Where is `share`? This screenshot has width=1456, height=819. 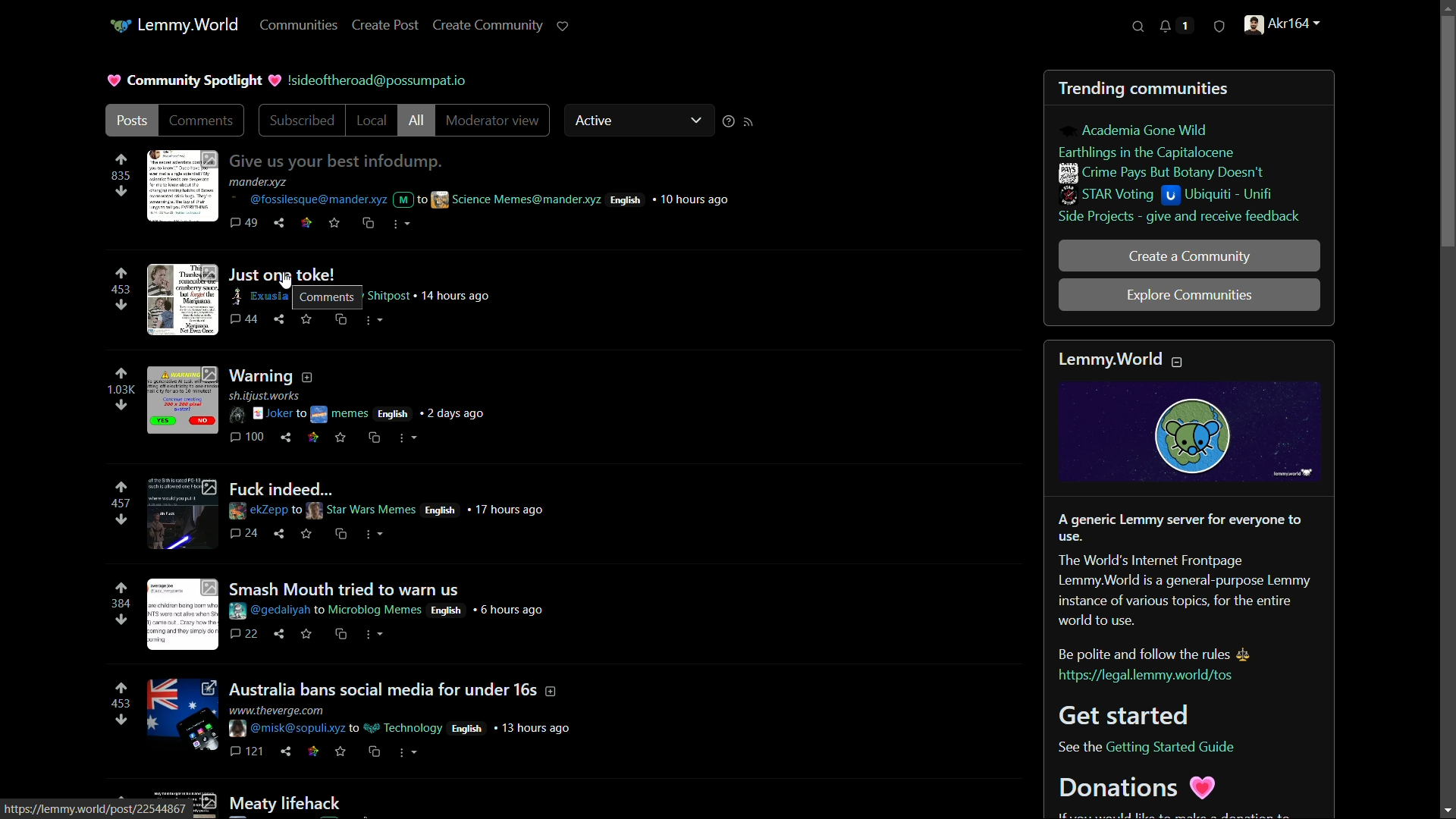
share is located at coordinates (287, 438).